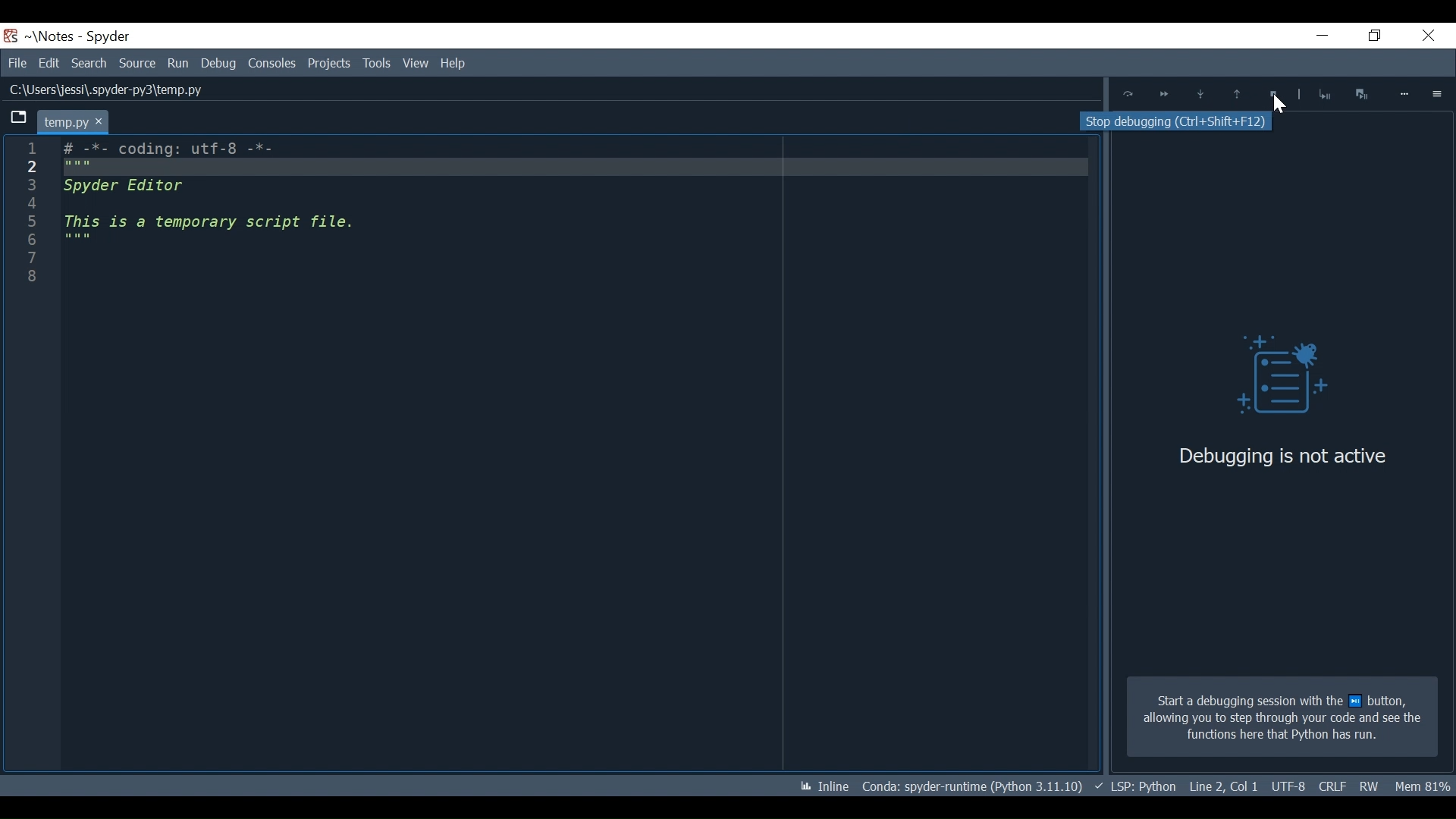 This screenshot has width=1456, height=819. What do you see at coordinates (220, 201) in the screenshot?
I see `Editor` at bounding box center [220, 201].